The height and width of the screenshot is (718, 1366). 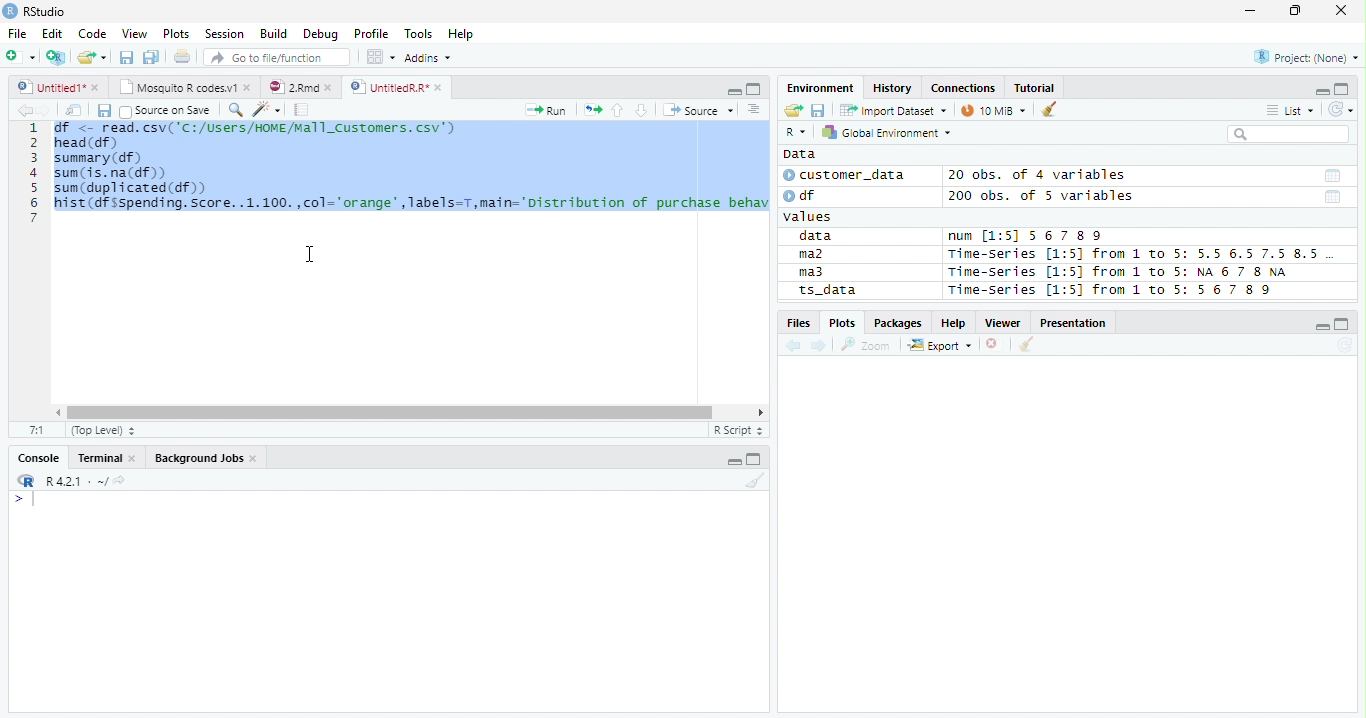 I want to click on Previous, so click(x=22, y=110).